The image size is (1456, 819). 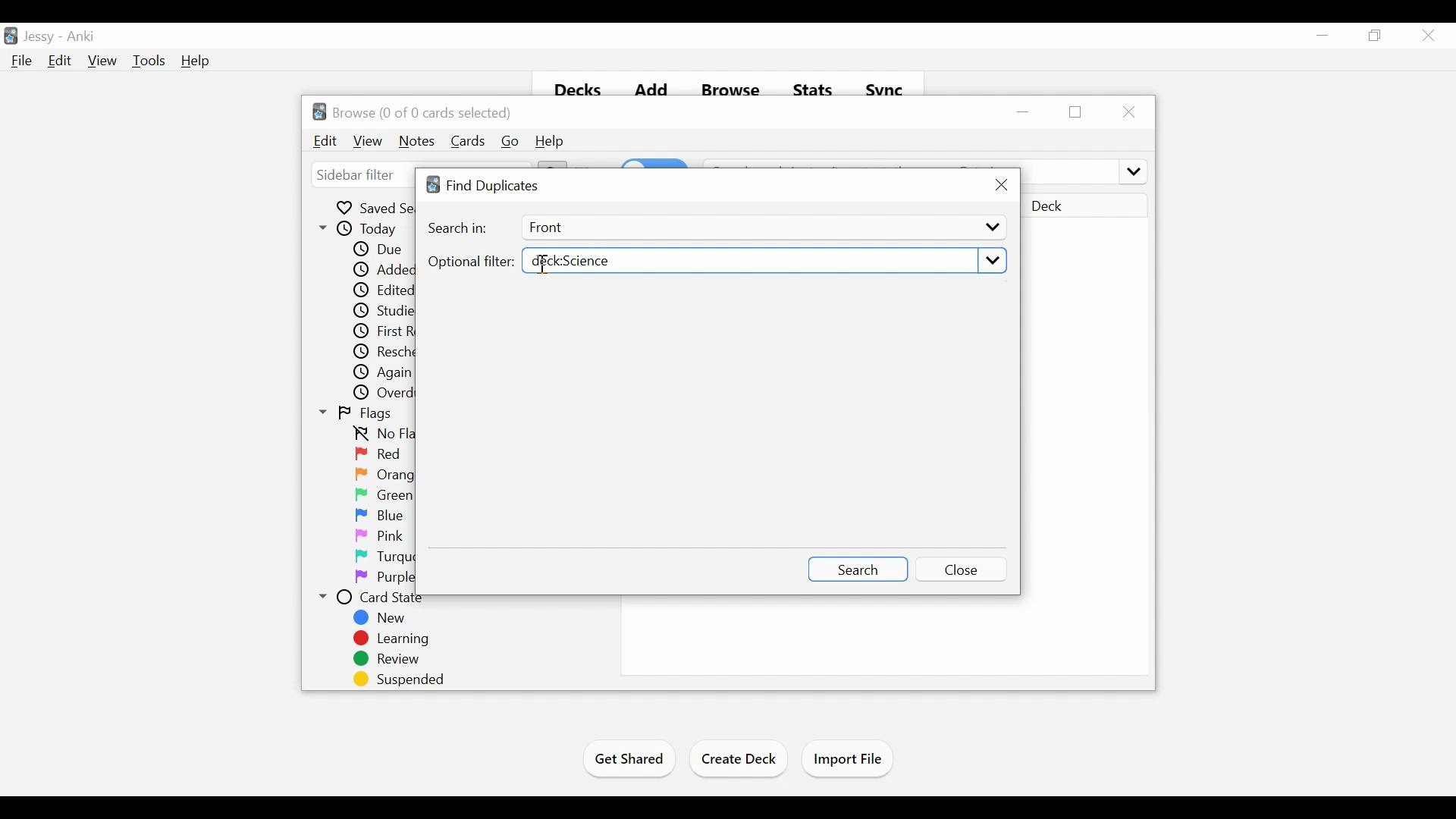 What do you see at coordinates (762, 262) in the screenshot?
I see `Select Optional Filter` at bounding box center [762, 262].